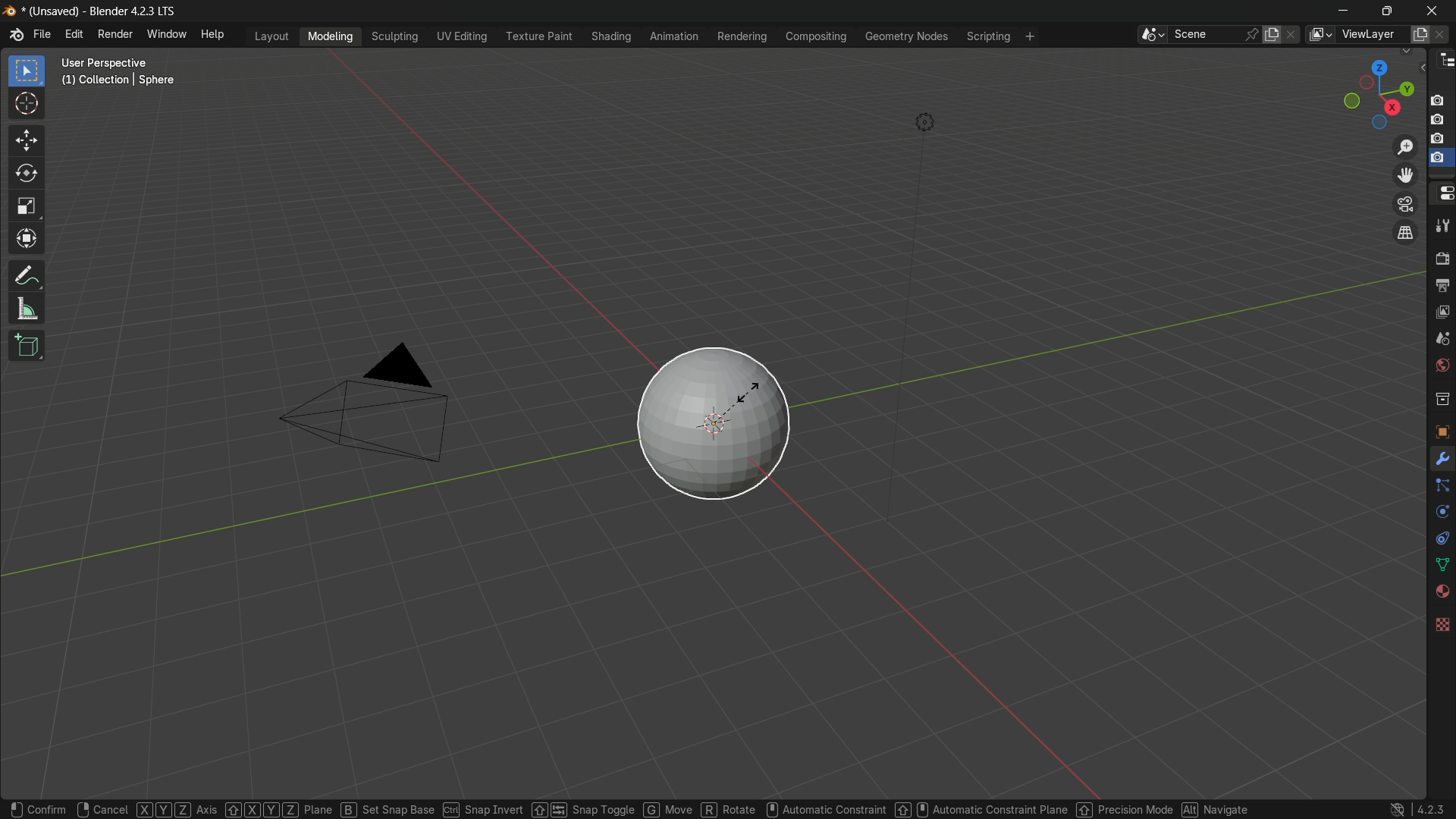 This screenshot has width=1456, height=819. What do you see at coordinates (280, 805) in the screenshot?
I see `Axis XYZ Plane B` at bounding box center [280, 805].